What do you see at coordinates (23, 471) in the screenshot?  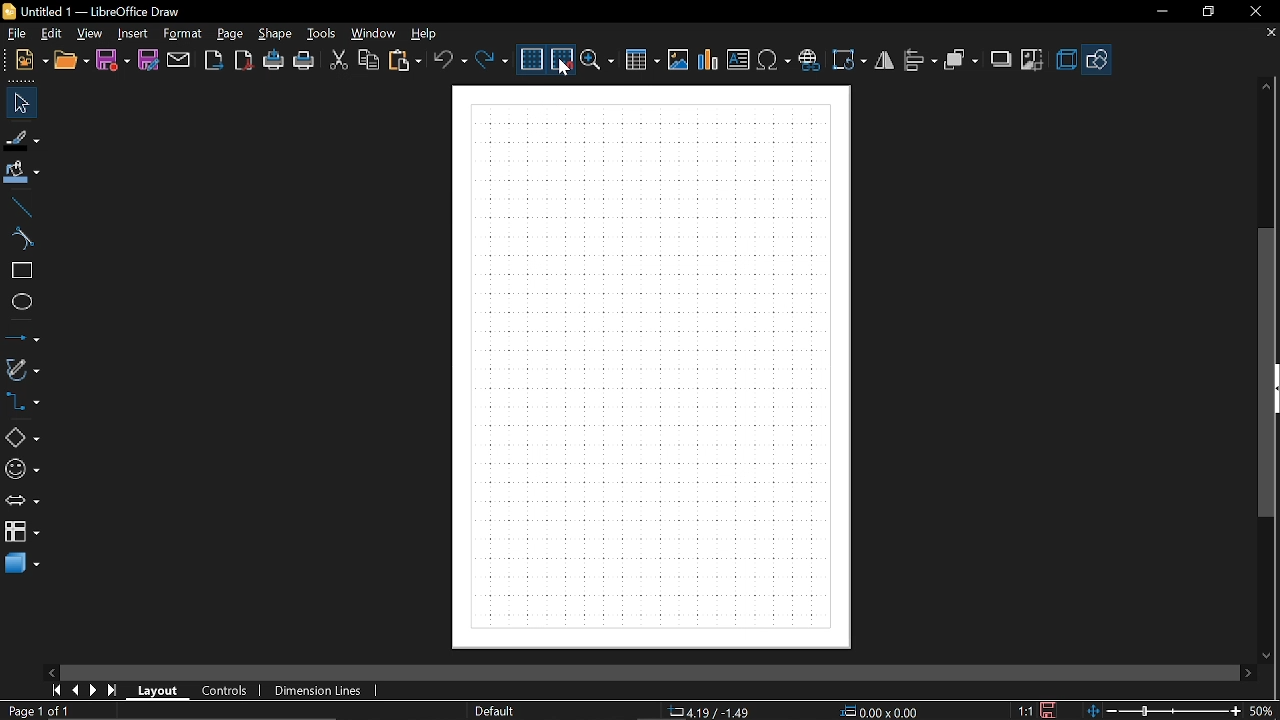 I see `symbol shapes` at bounding box center [23, 471].